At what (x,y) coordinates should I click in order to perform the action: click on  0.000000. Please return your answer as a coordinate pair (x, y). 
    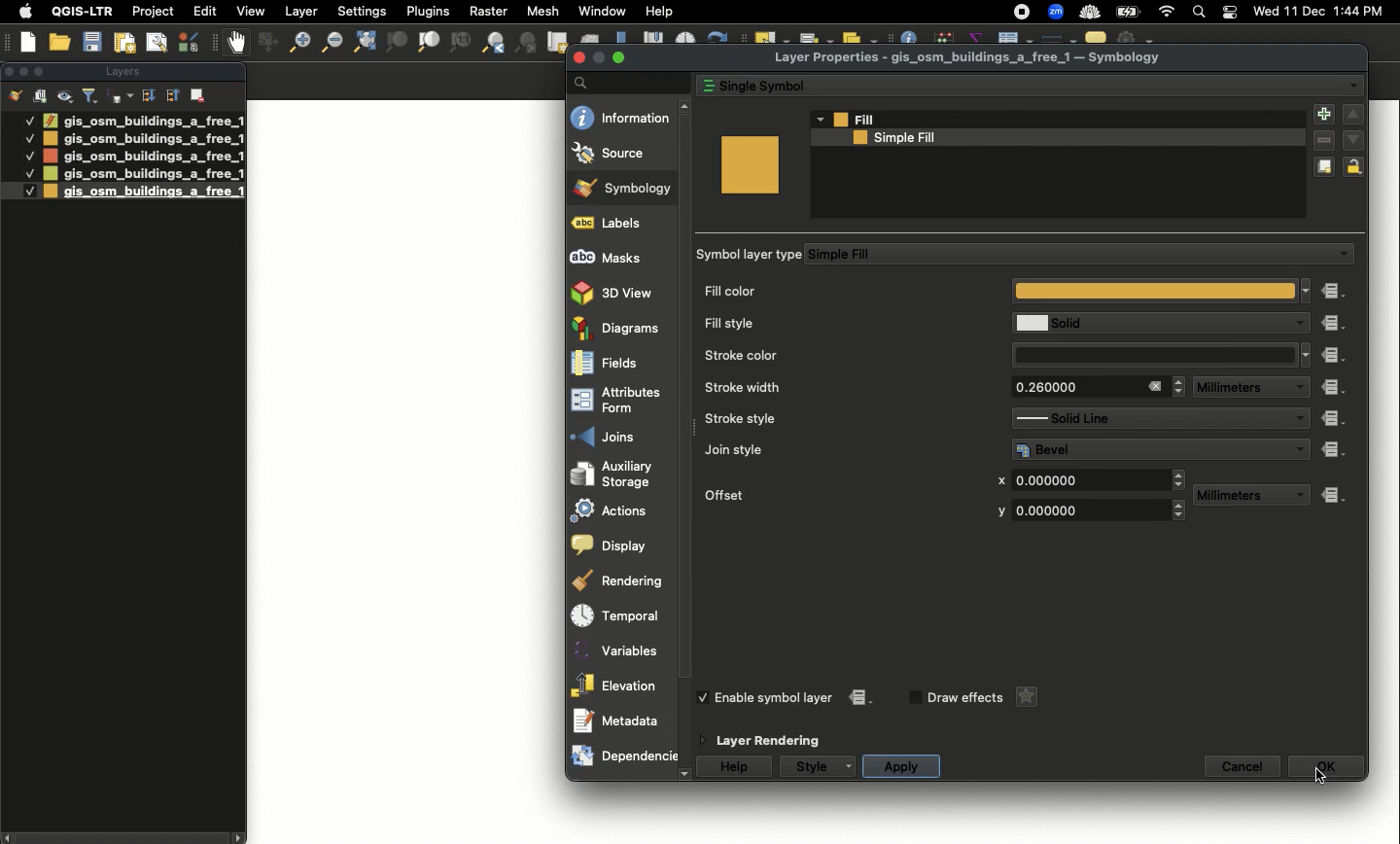
    Looking at the image, I should click on (1084, 510).